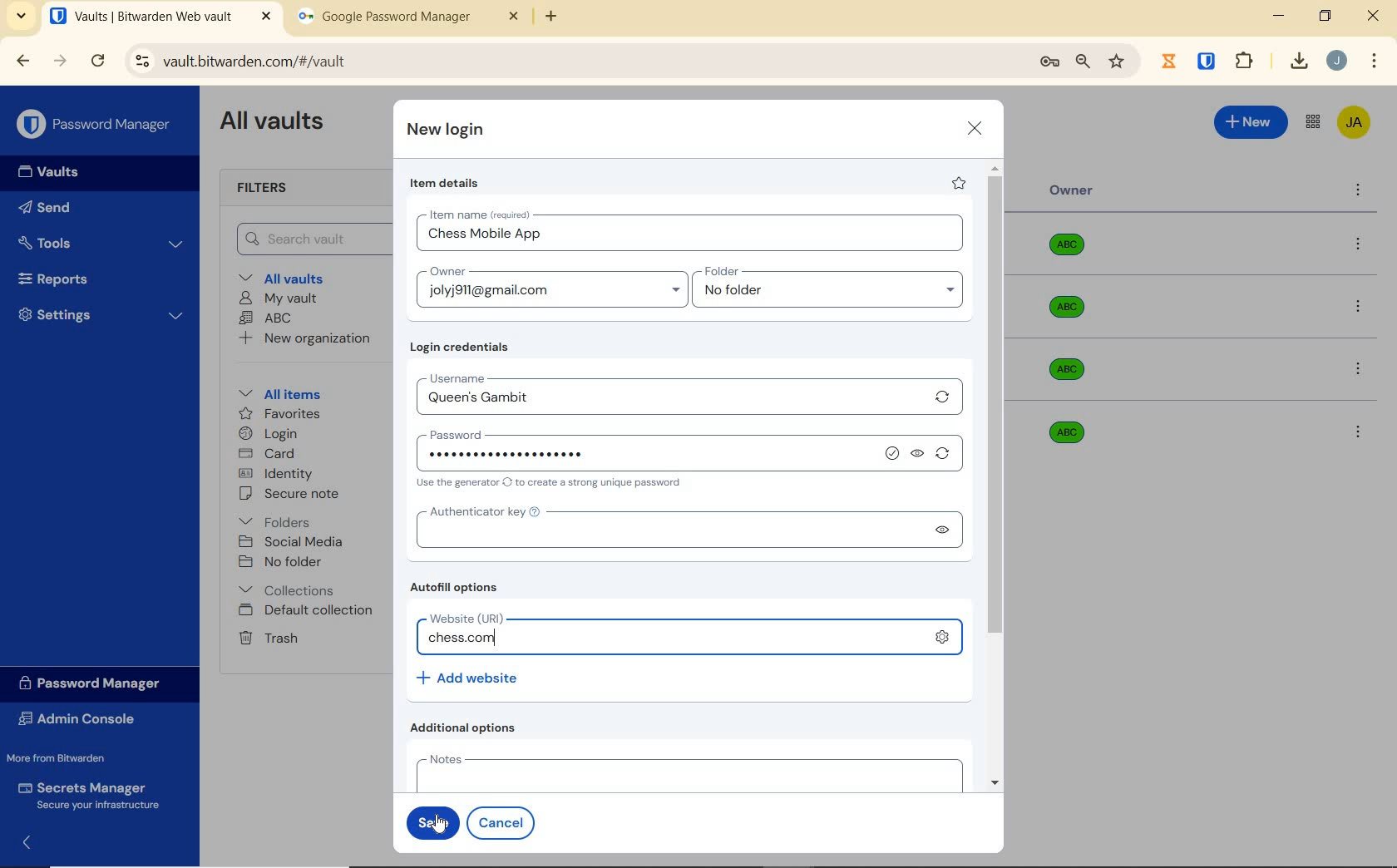 The height and width of the screenshot is (868, 1397). Describe the element at coordinates (1298, 61) in the screenshot. I see `download` at that location.